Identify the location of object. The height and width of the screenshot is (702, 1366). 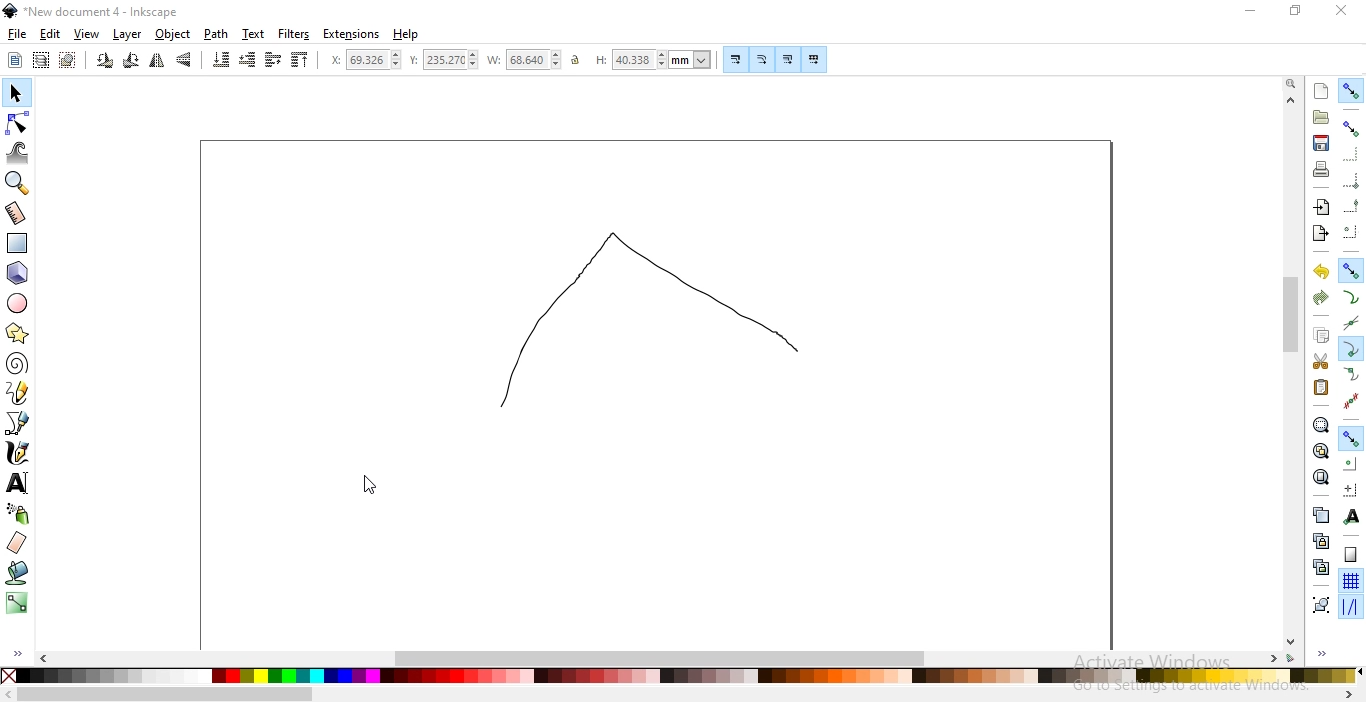
(173, 34).